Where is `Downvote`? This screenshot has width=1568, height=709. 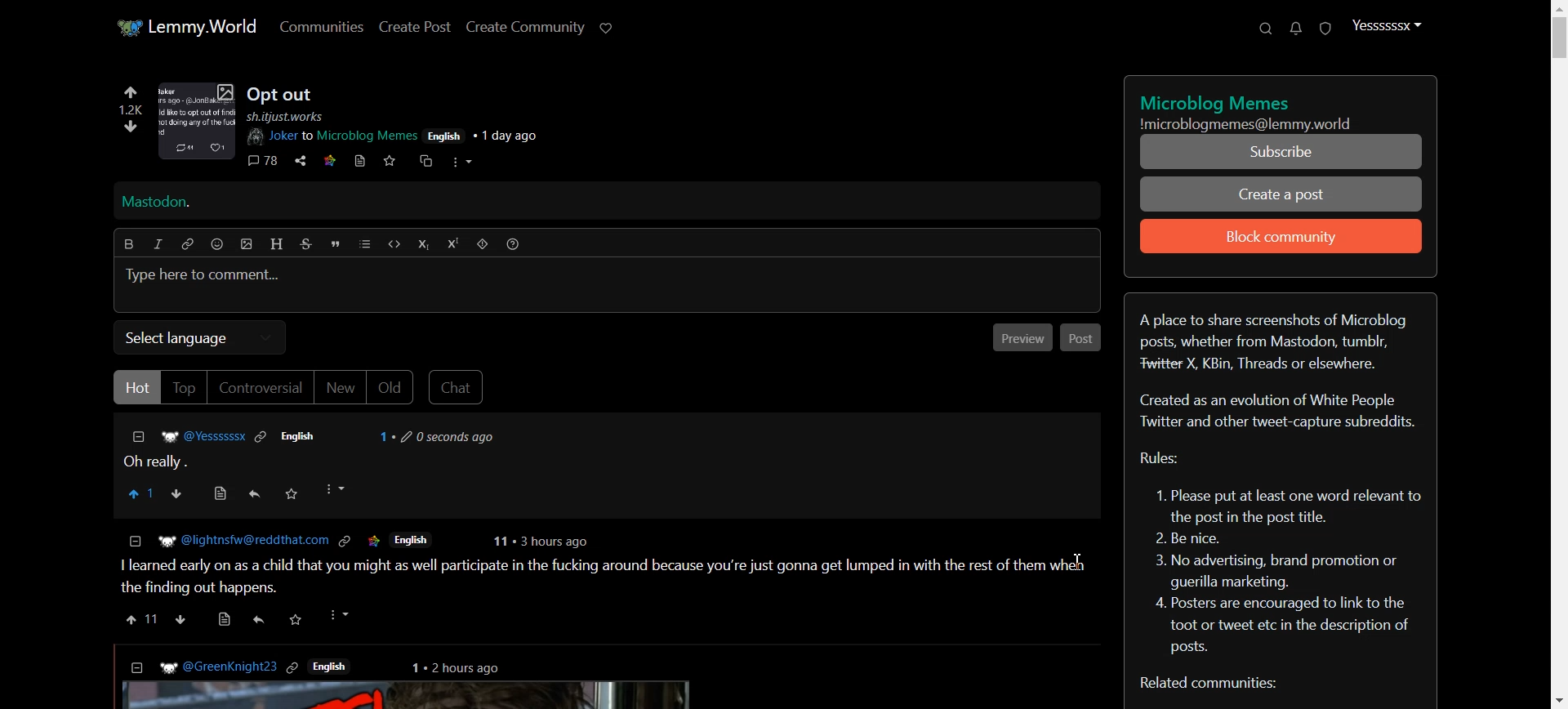 Downvote is located at coordinates (180, 493).